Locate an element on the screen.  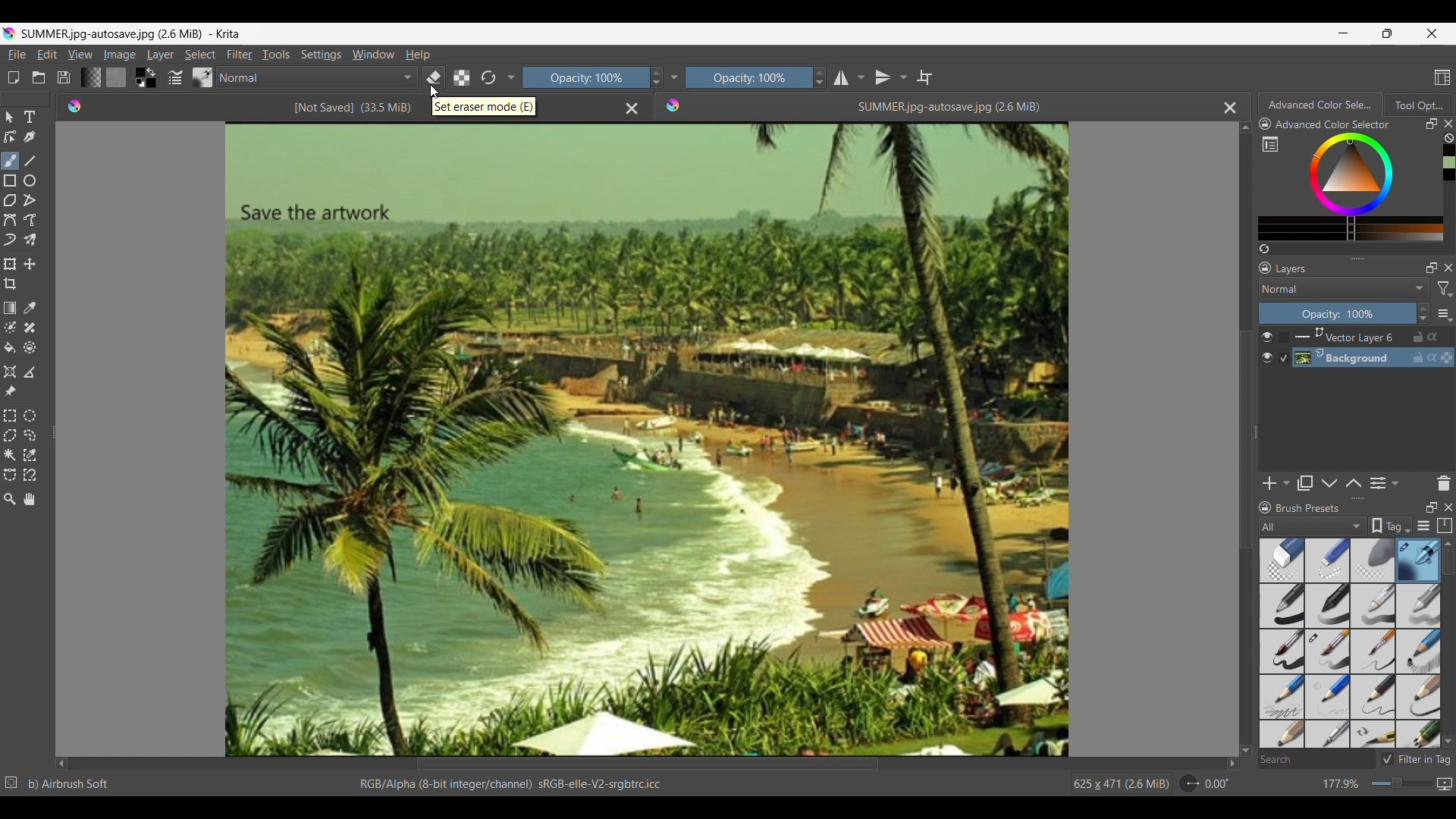
Background color is located at coordinates (152, 83).